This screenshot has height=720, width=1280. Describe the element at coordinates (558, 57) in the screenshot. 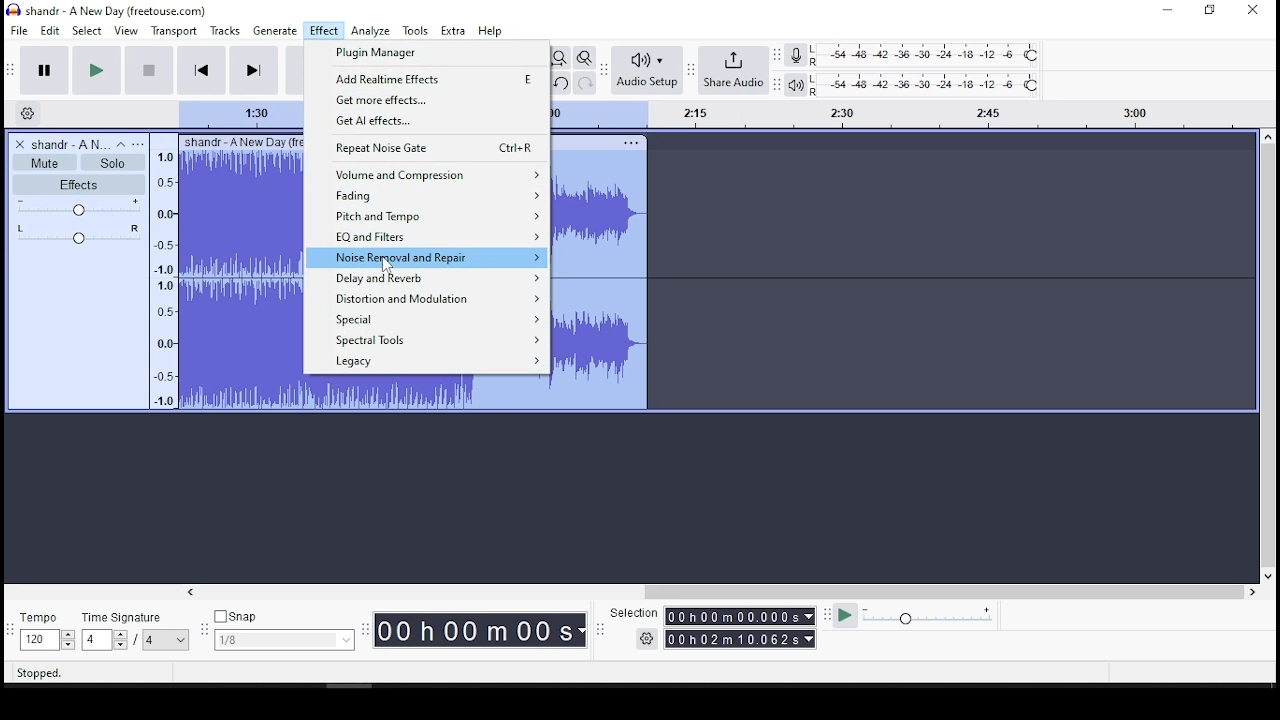

I see `fit project to width` at that location.